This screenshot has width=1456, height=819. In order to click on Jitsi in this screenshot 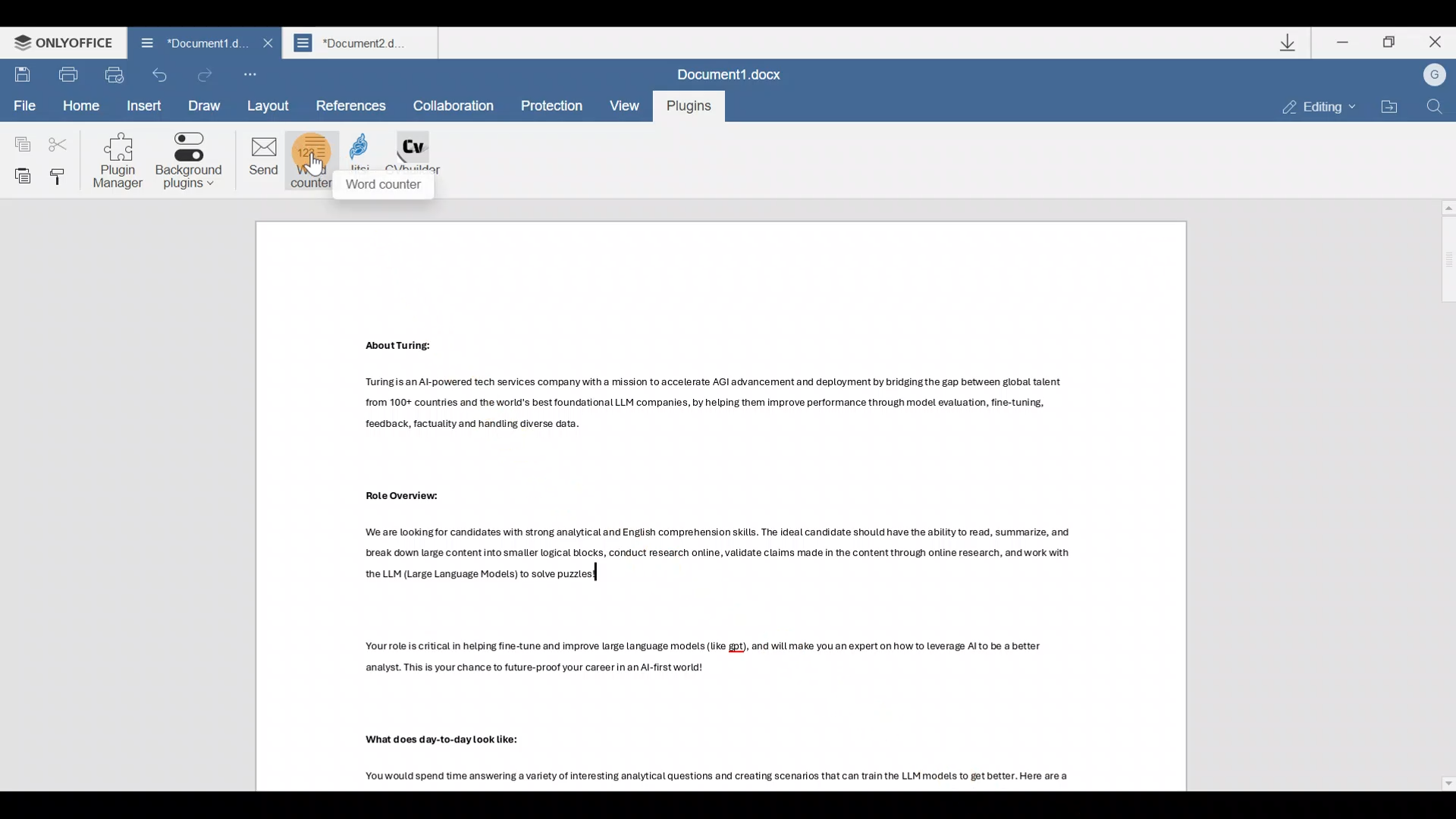, I will do `click(368, 165)`.